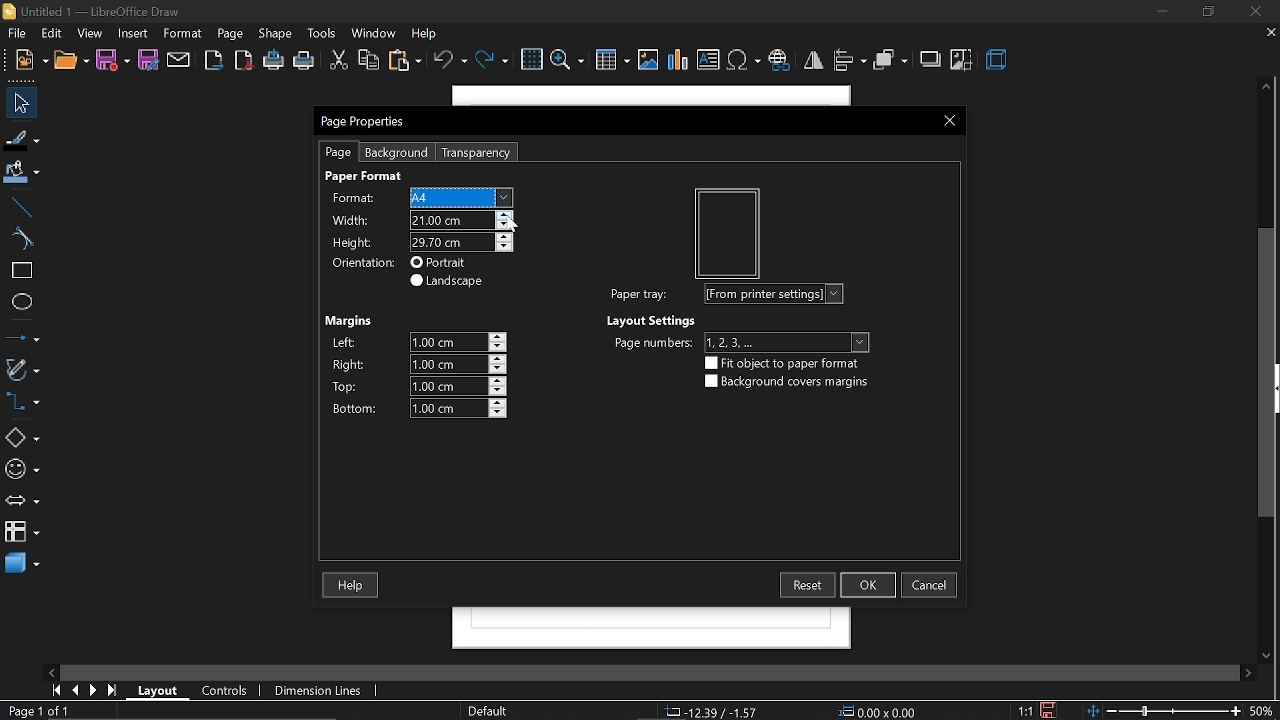 This screenshot has width=1280, height=720. What do you see at coordinates (336, 61) in the screenshot?
I see `cut ` at bounding box center [336, 61].